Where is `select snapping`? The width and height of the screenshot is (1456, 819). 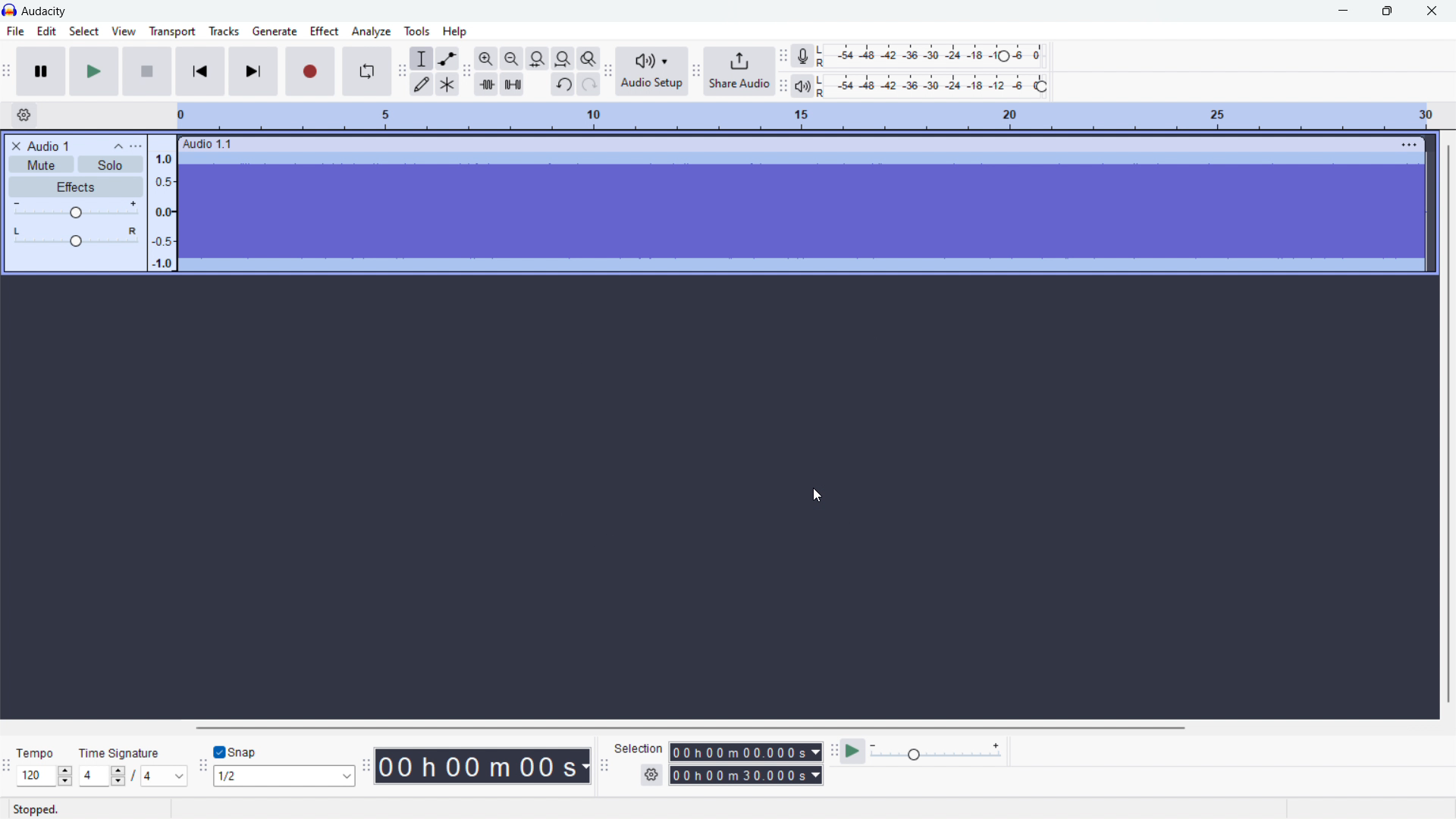
select snapping is located at coordinates (284, 777).